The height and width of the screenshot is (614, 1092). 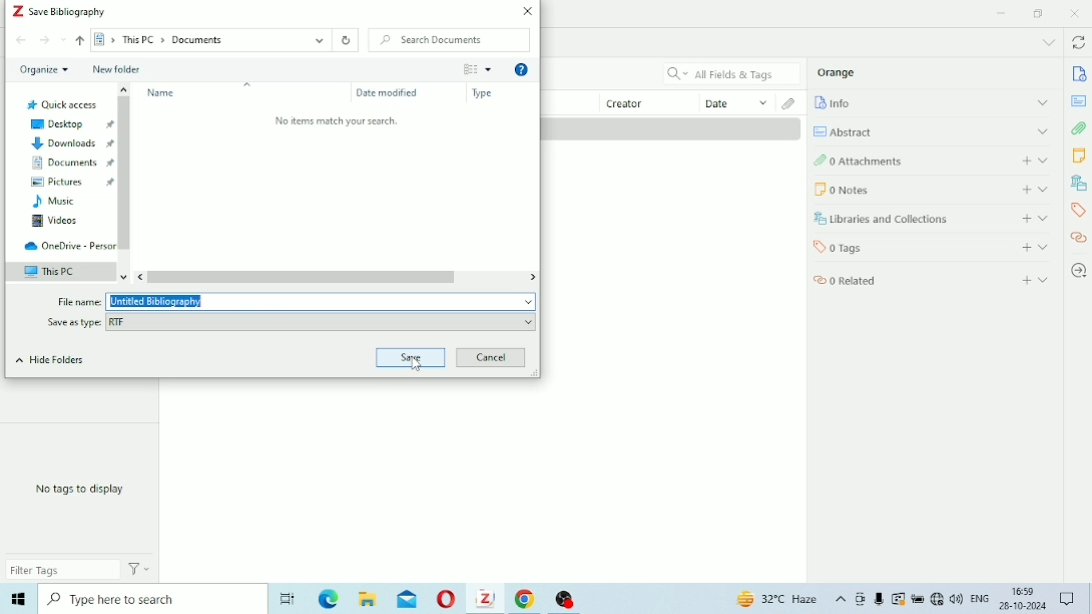 I want to click on Abstract, so click(x=1078, y=101).